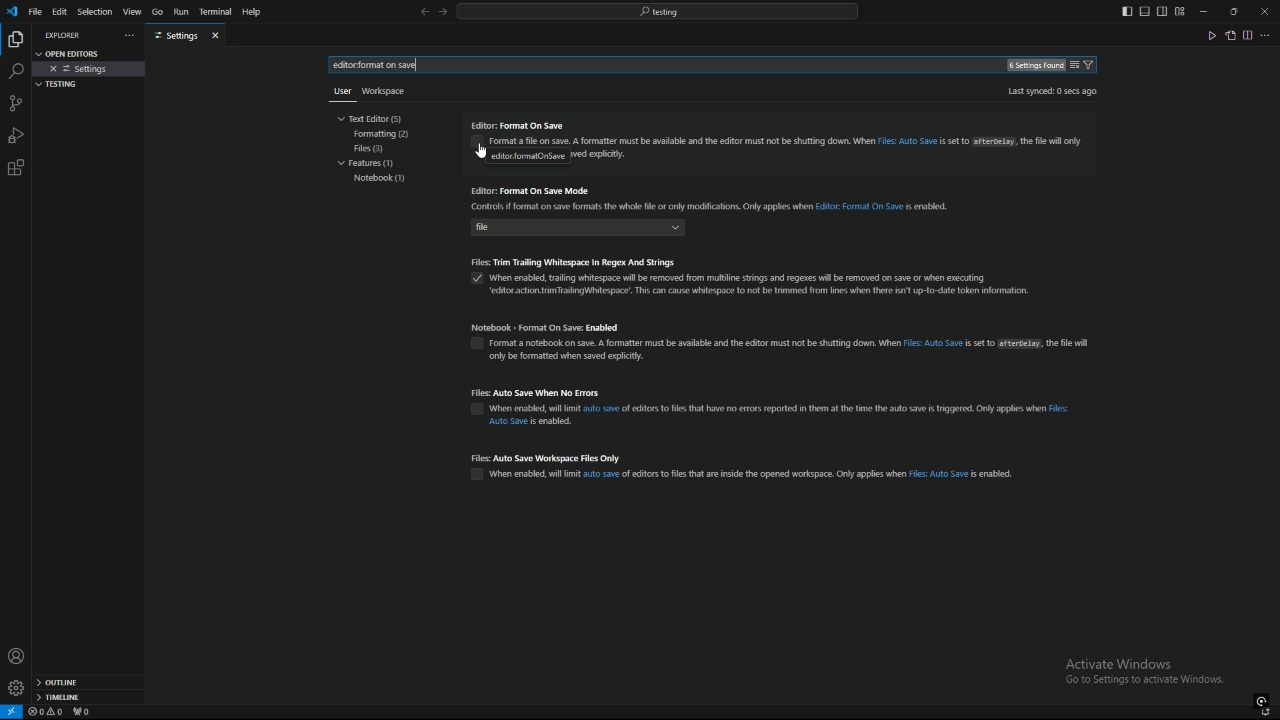  What do you see at coordinates (1248, 35) in the screenshot?
I see `split editor right` at bounding box center [1248, 35].